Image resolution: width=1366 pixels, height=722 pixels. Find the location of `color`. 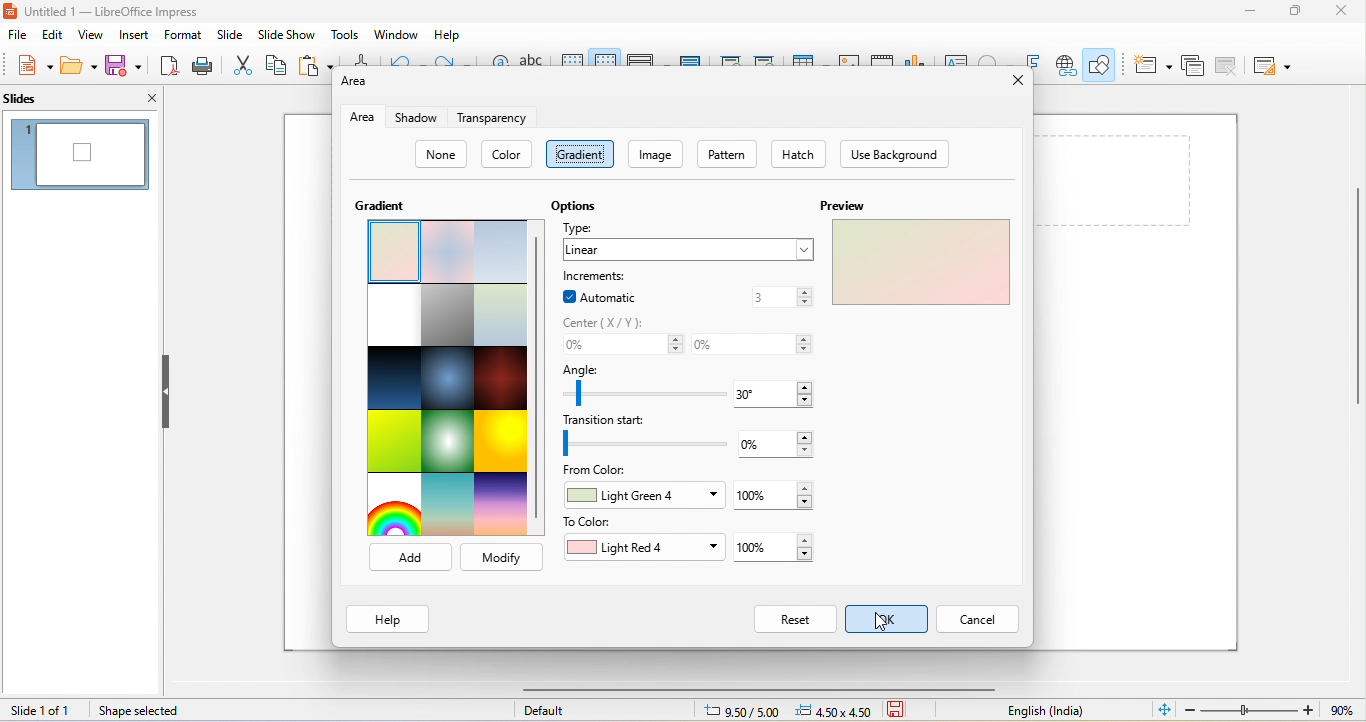

color is located at coordinates (509, 155).